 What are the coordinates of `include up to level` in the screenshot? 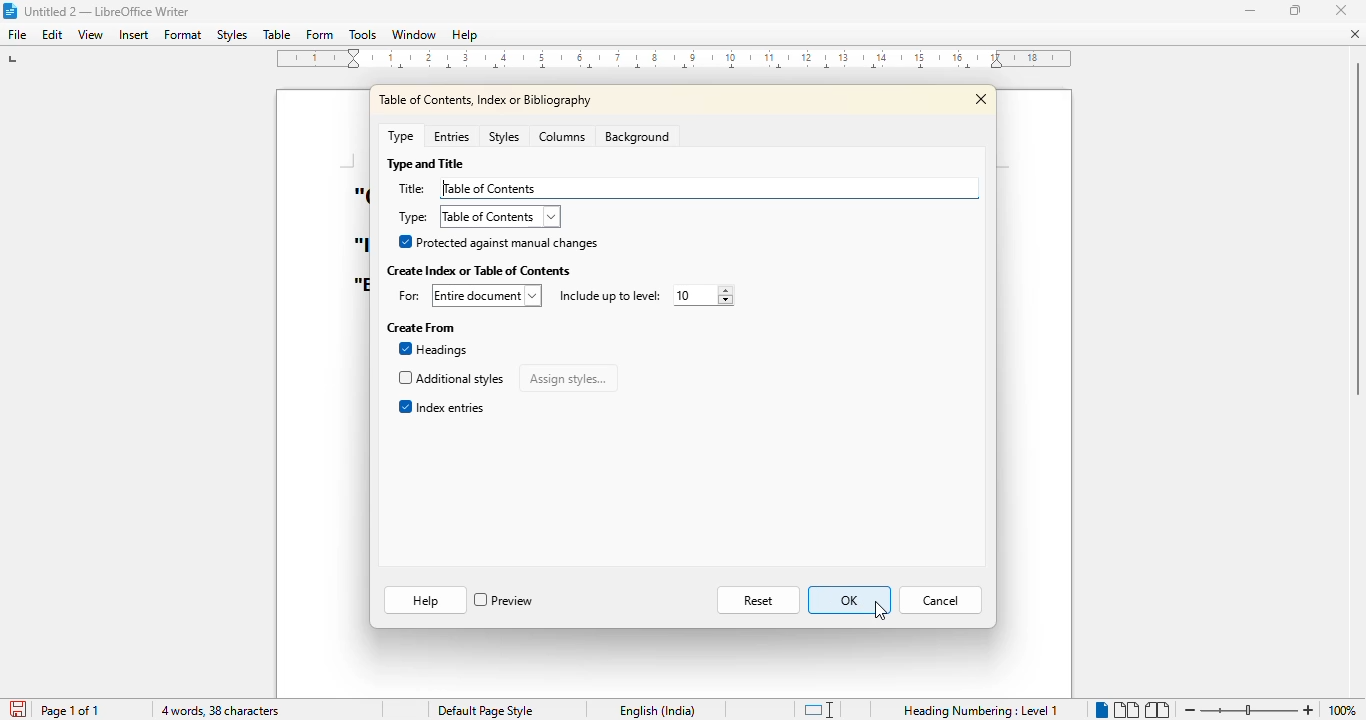 It's located at (607, 296).